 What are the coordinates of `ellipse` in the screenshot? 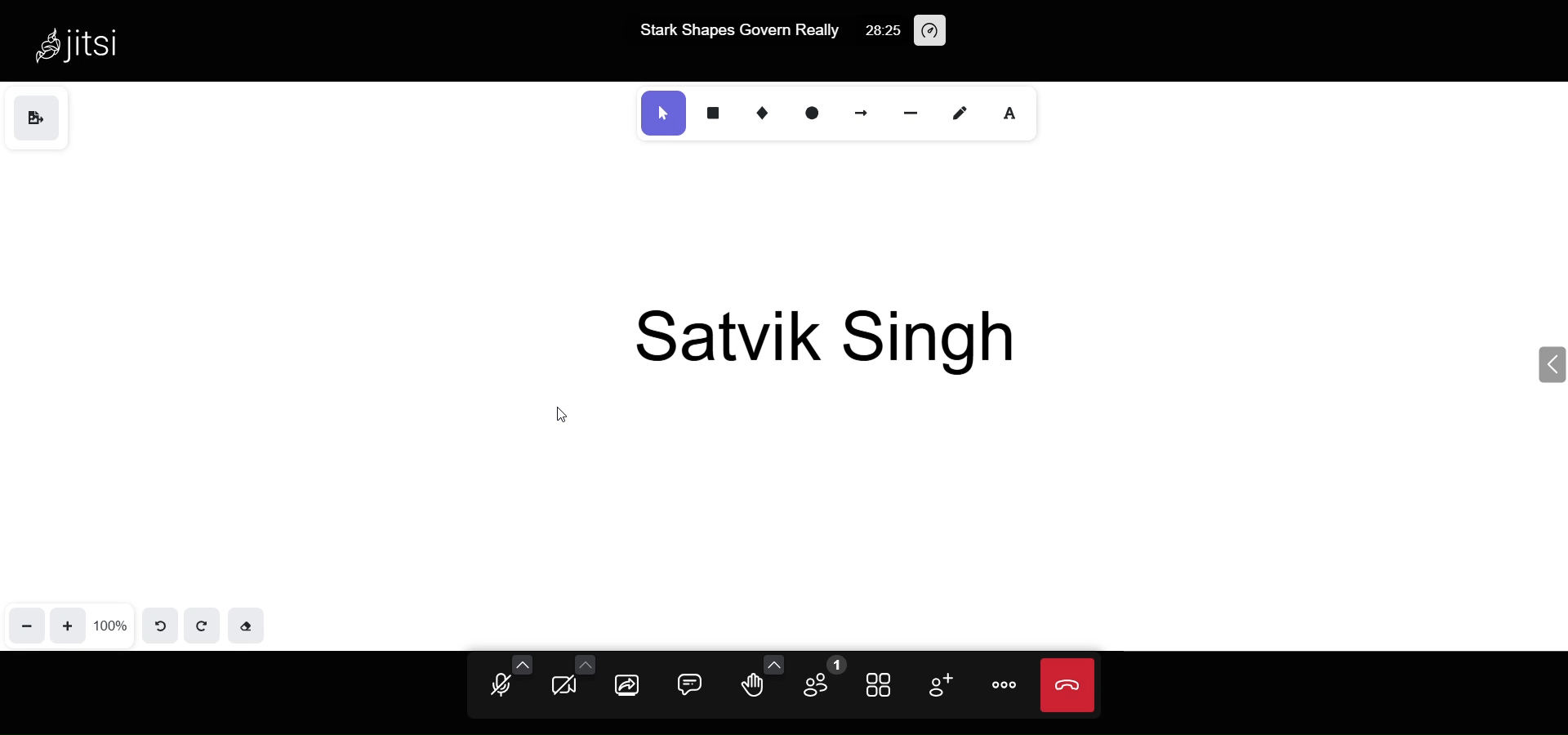 It's located at (814, 111).